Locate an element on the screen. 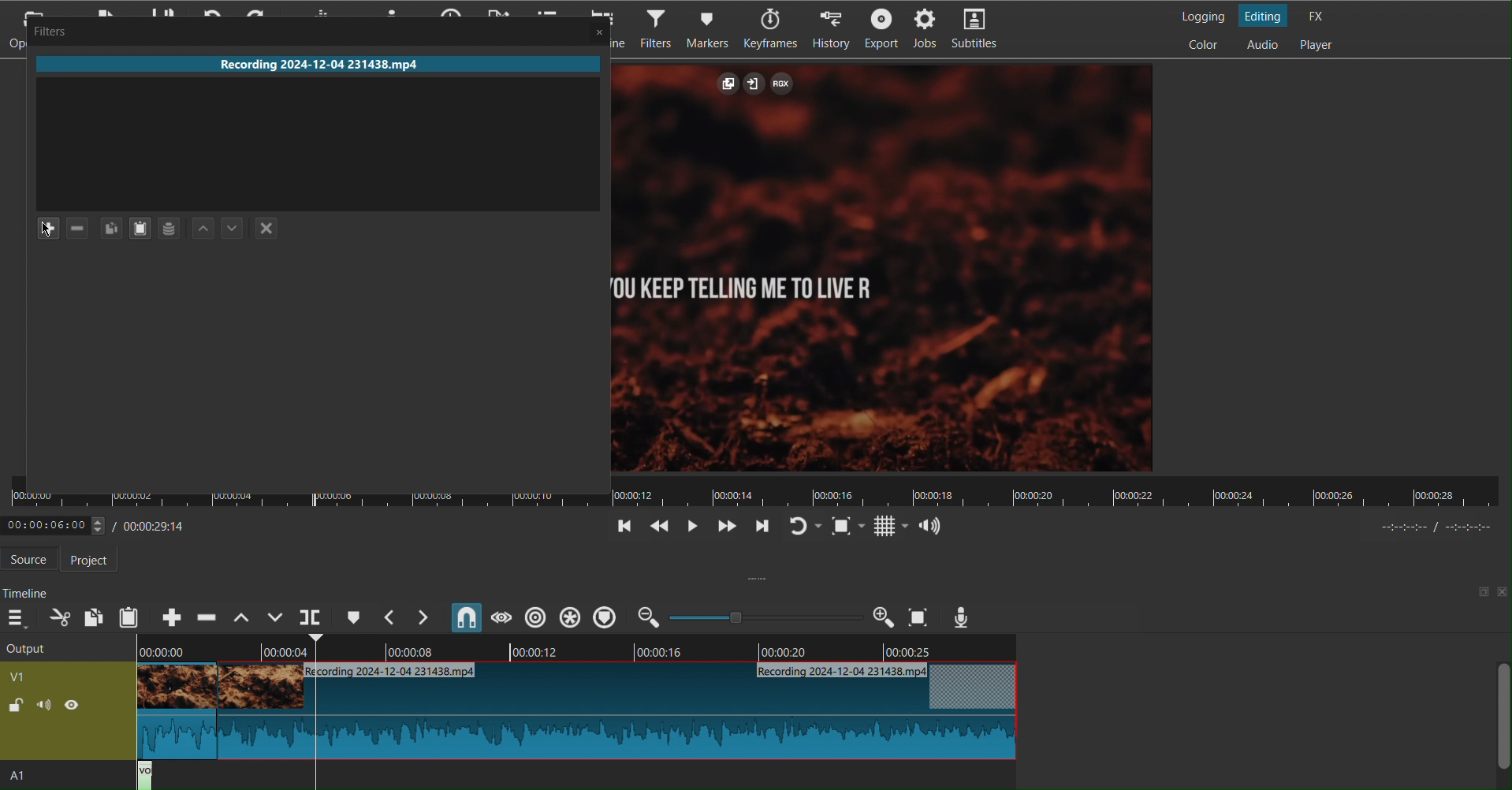 The image size is (1512, 790). Cut is located at coordinates (60, 617).